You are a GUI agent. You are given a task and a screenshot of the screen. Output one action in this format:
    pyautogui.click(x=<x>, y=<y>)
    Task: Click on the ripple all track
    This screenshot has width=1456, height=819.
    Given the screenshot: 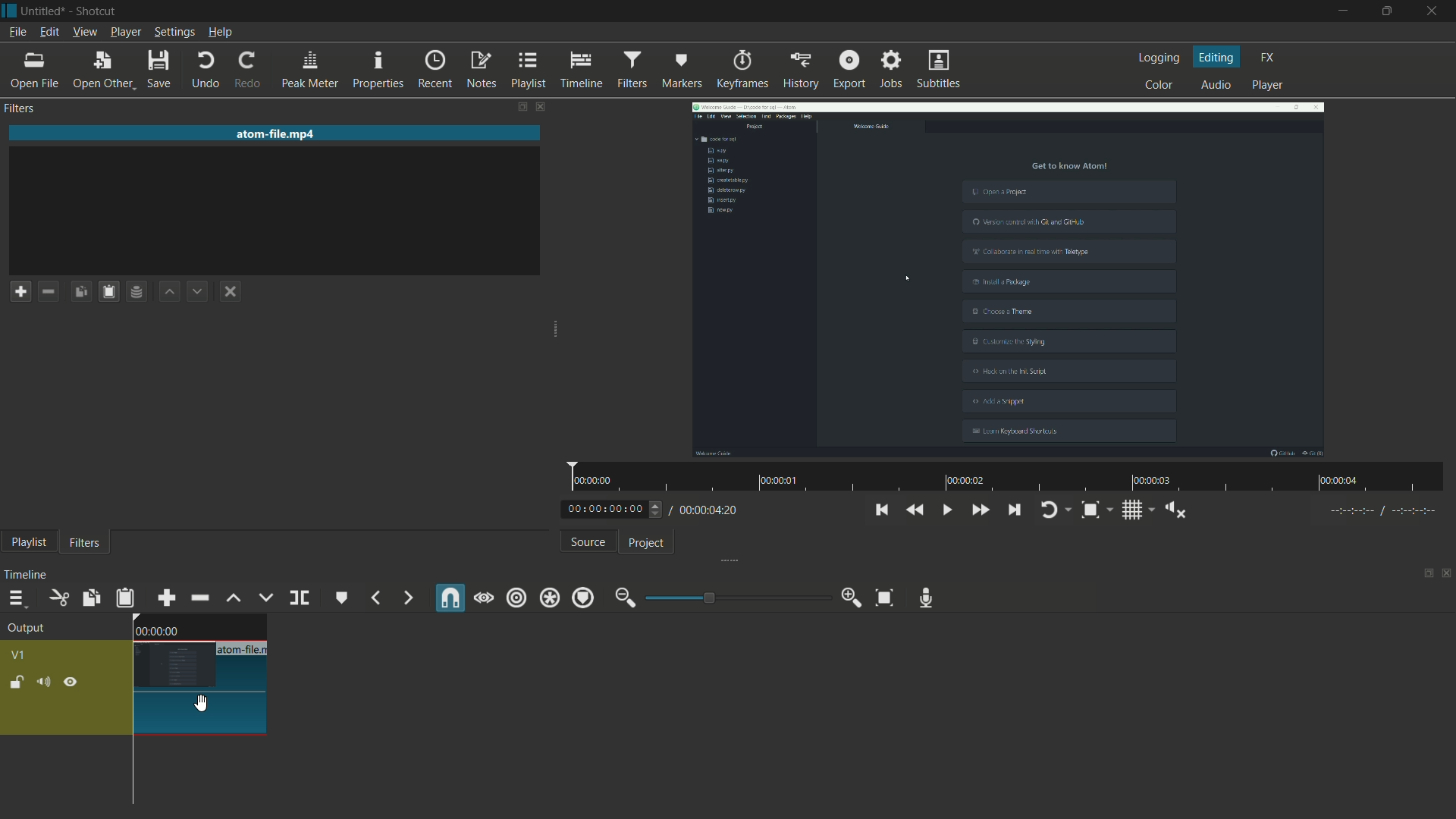 What is the action you would take?
    pyautogui.click(x=551, y=597)
    